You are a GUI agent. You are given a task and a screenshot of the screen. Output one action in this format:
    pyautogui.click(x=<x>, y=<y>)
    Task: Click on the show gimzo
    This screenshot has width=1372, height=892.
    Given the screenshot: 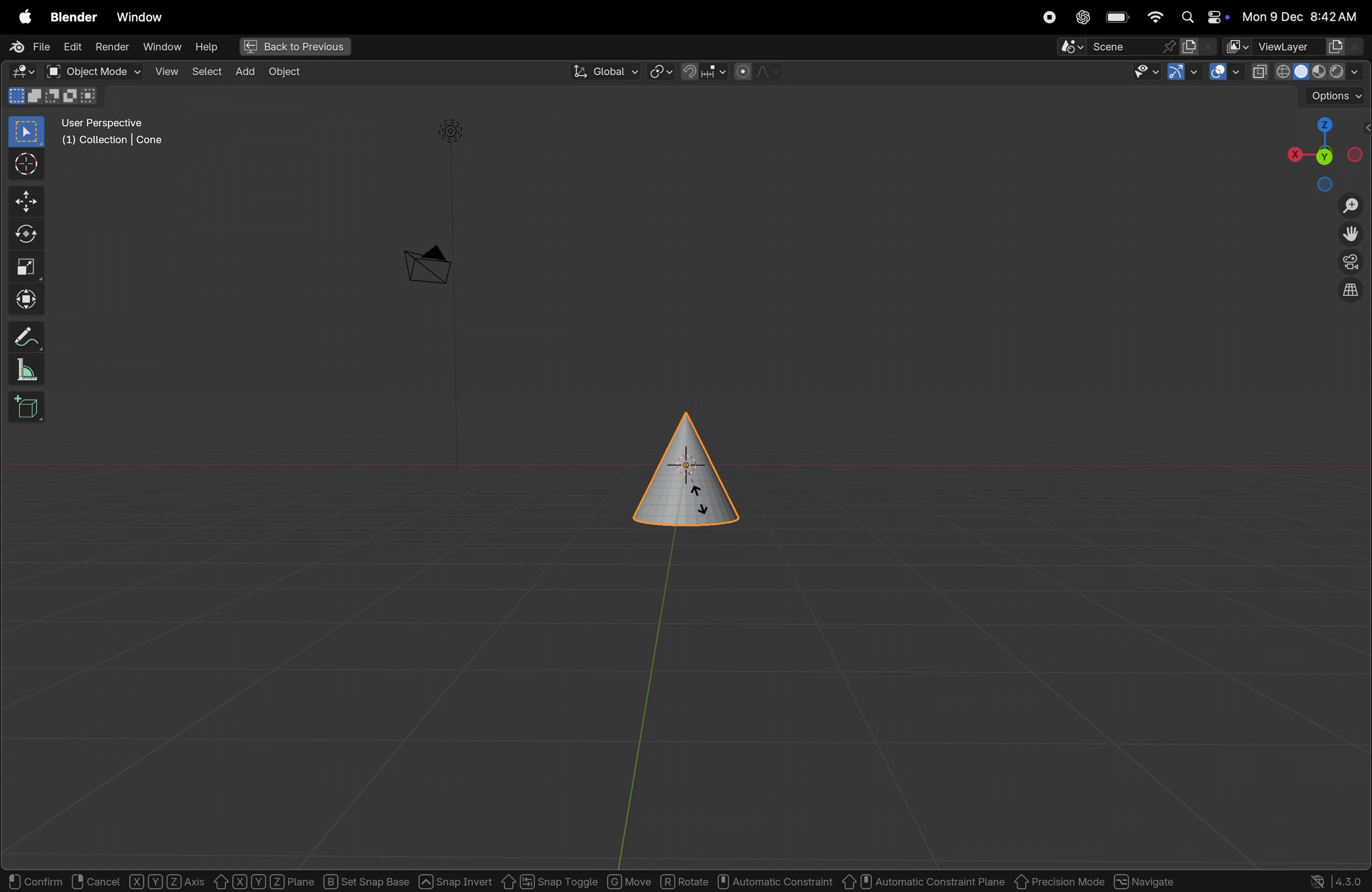 What is the action you would take?
    pyautogui.click(x=1181, y=73)
    